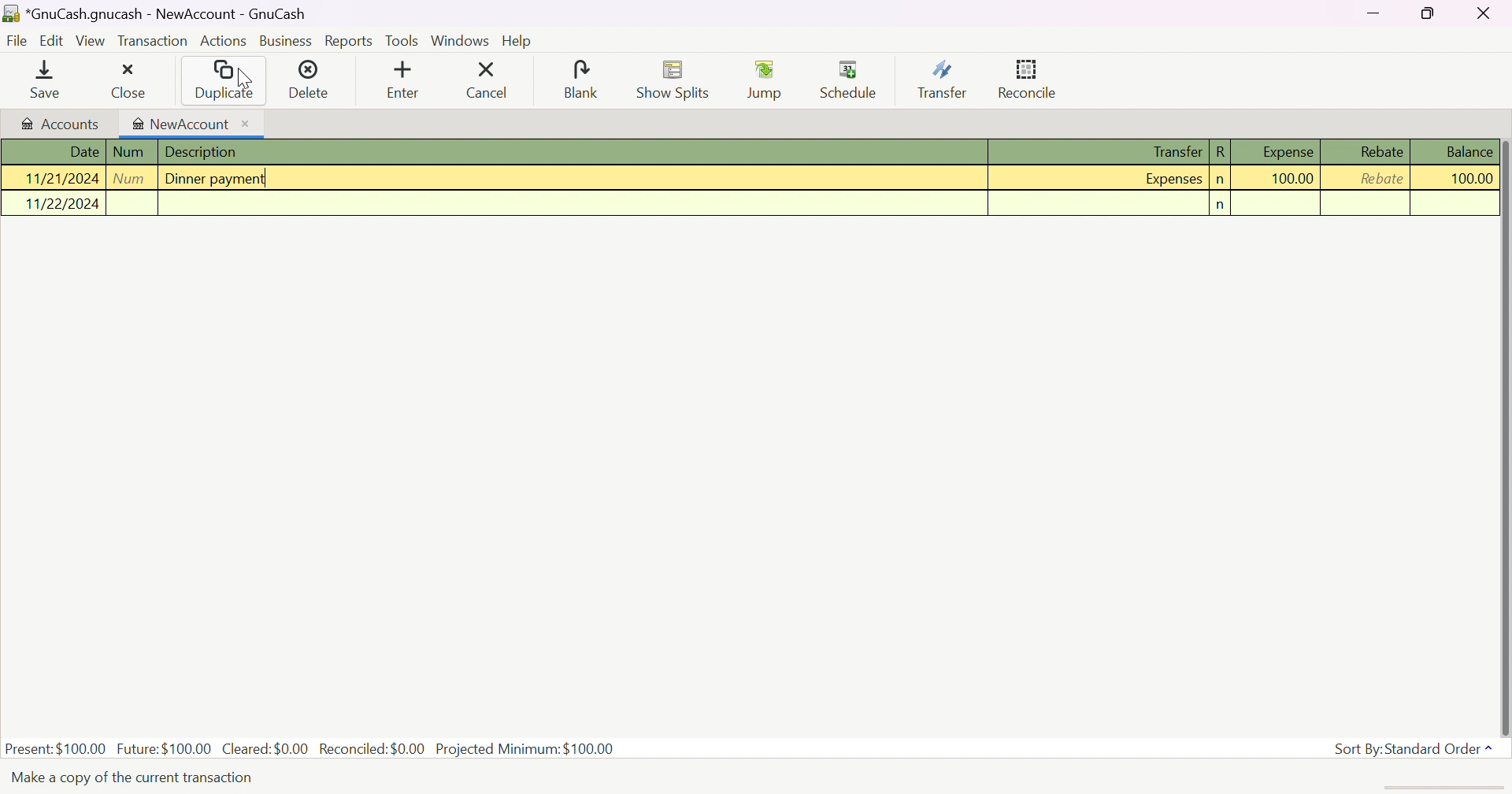  I want to click on Cancel, so click(486, 80).